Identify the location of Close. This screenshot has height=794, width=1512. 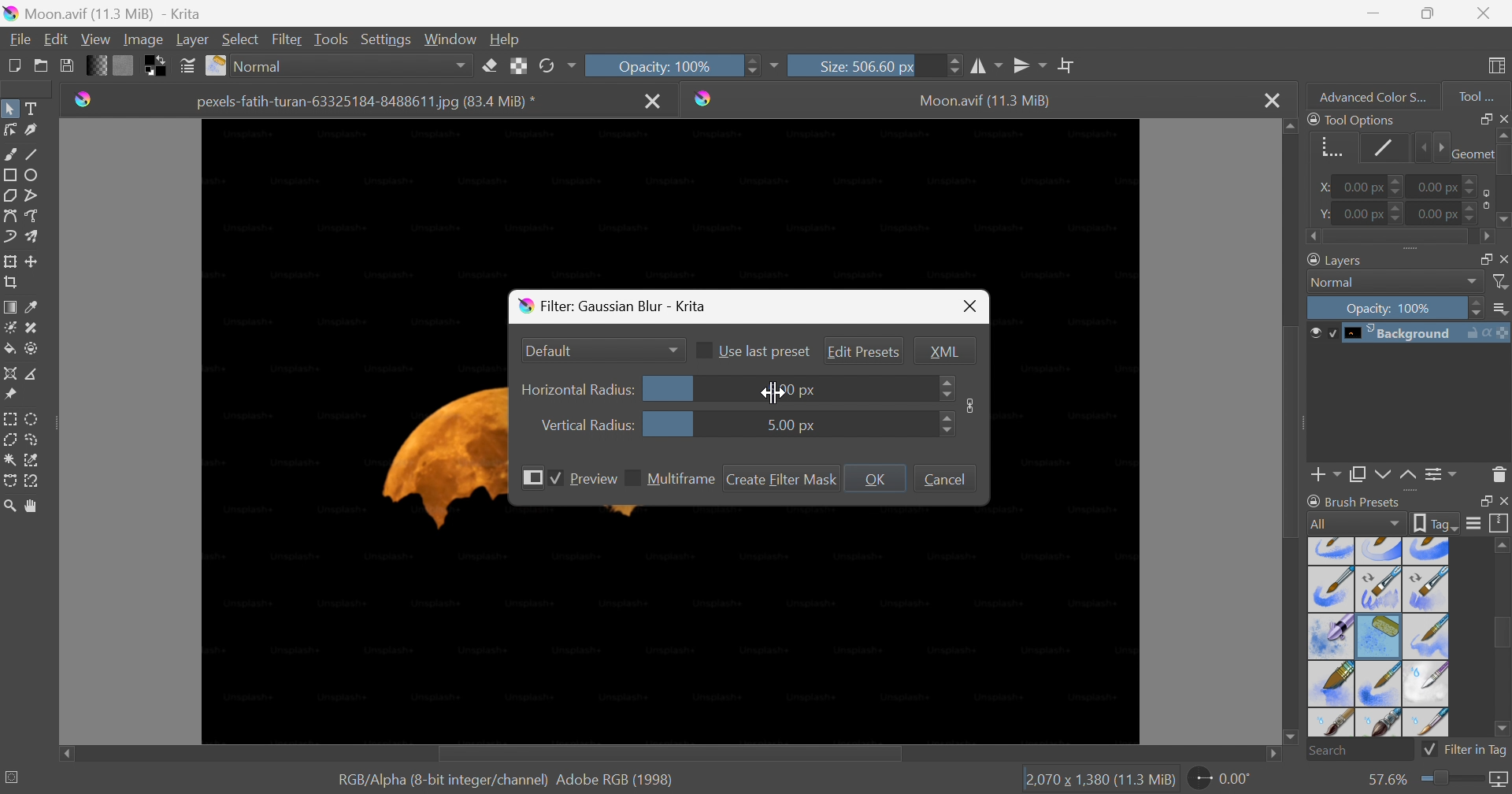
(1503, 501).